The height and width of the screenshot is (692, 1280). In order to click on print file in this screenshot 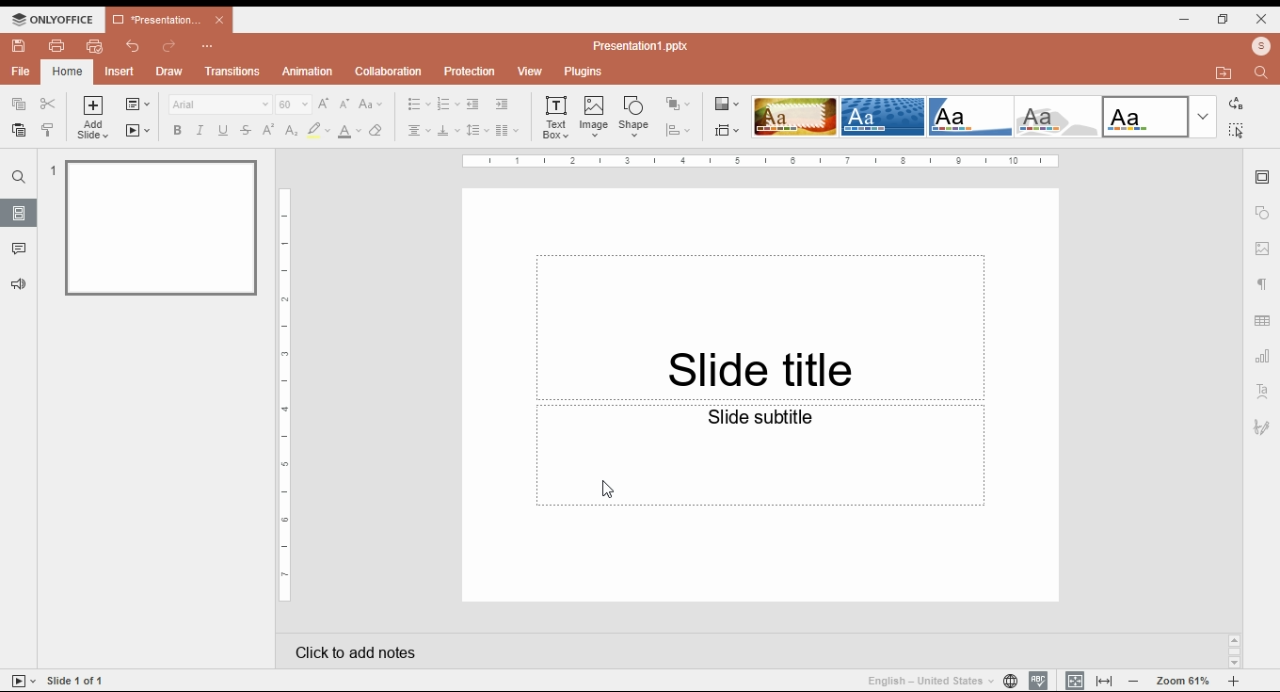, I will do `click(57, 46)`.